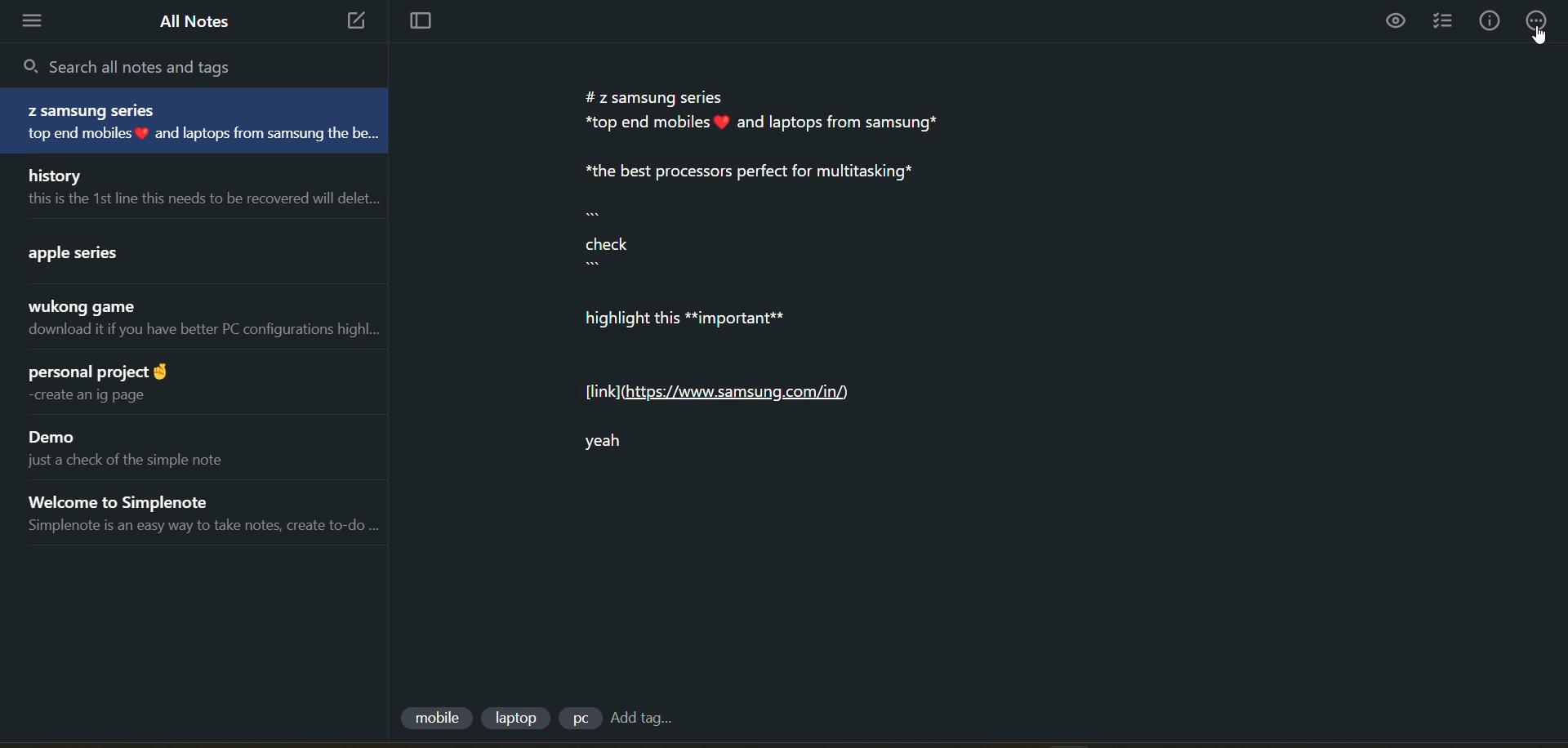 The image size is (1568, 748). I want to click on insert checklist, so click(1446, 22).